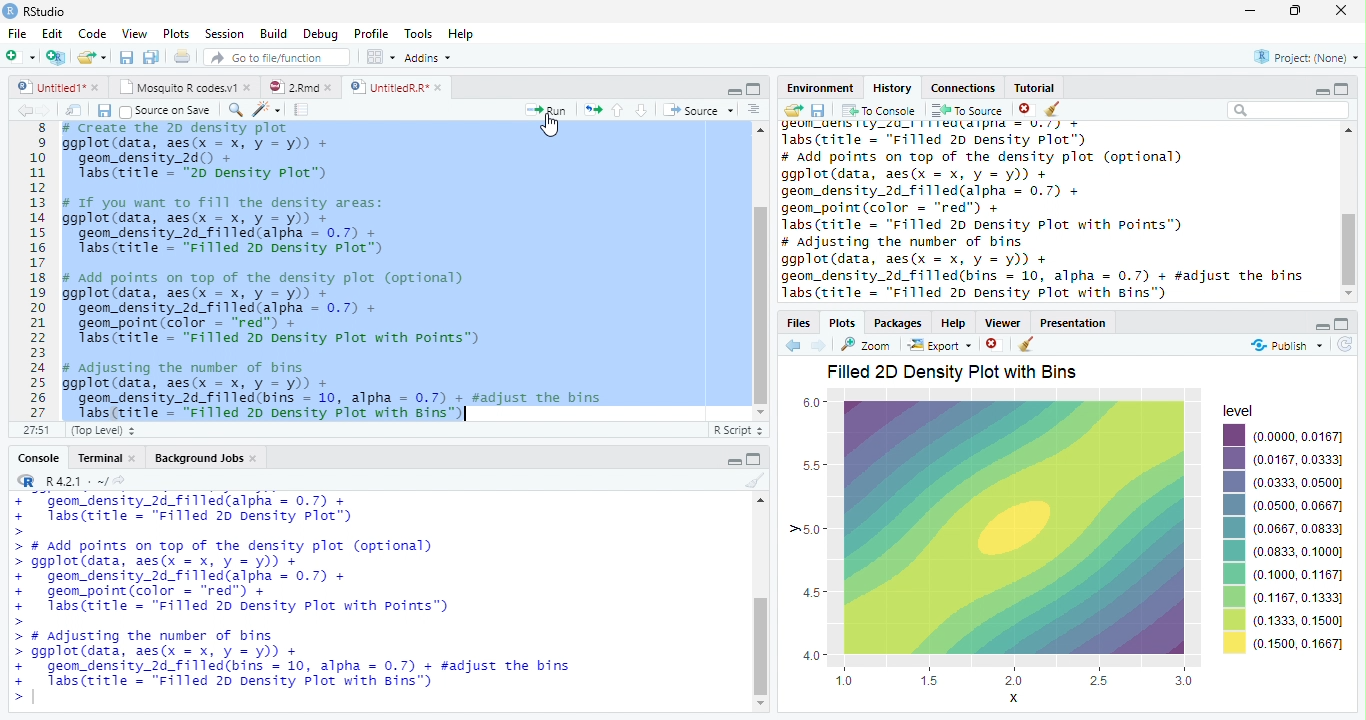  Describe the element at coordinates (821, 346) in the screenshot. I see `next` at that location.